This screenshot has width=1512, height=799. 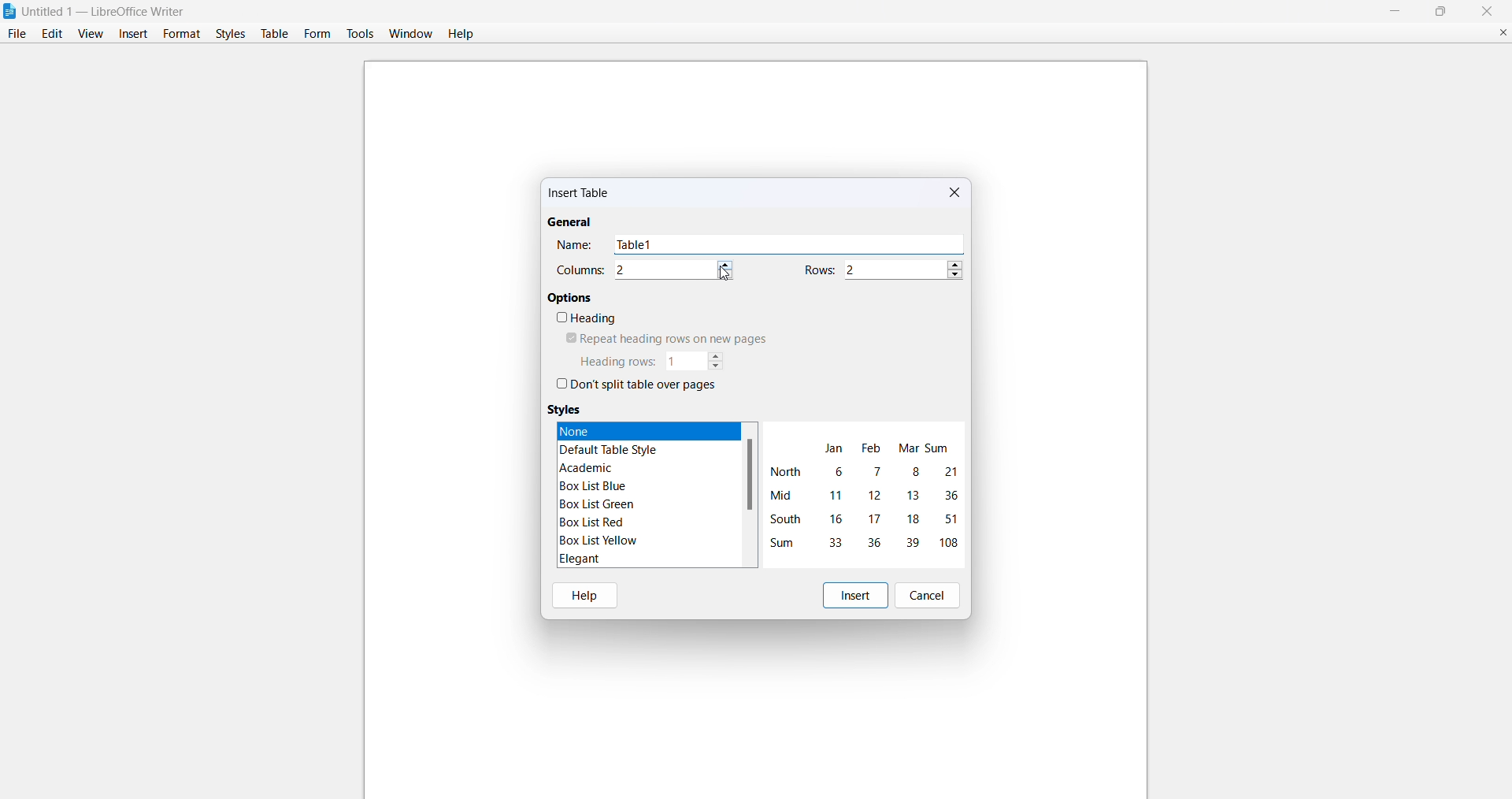 What do you see at coordinates (580, 270) in the screenshot?
I see `columns` at bounding box center [580, 270].